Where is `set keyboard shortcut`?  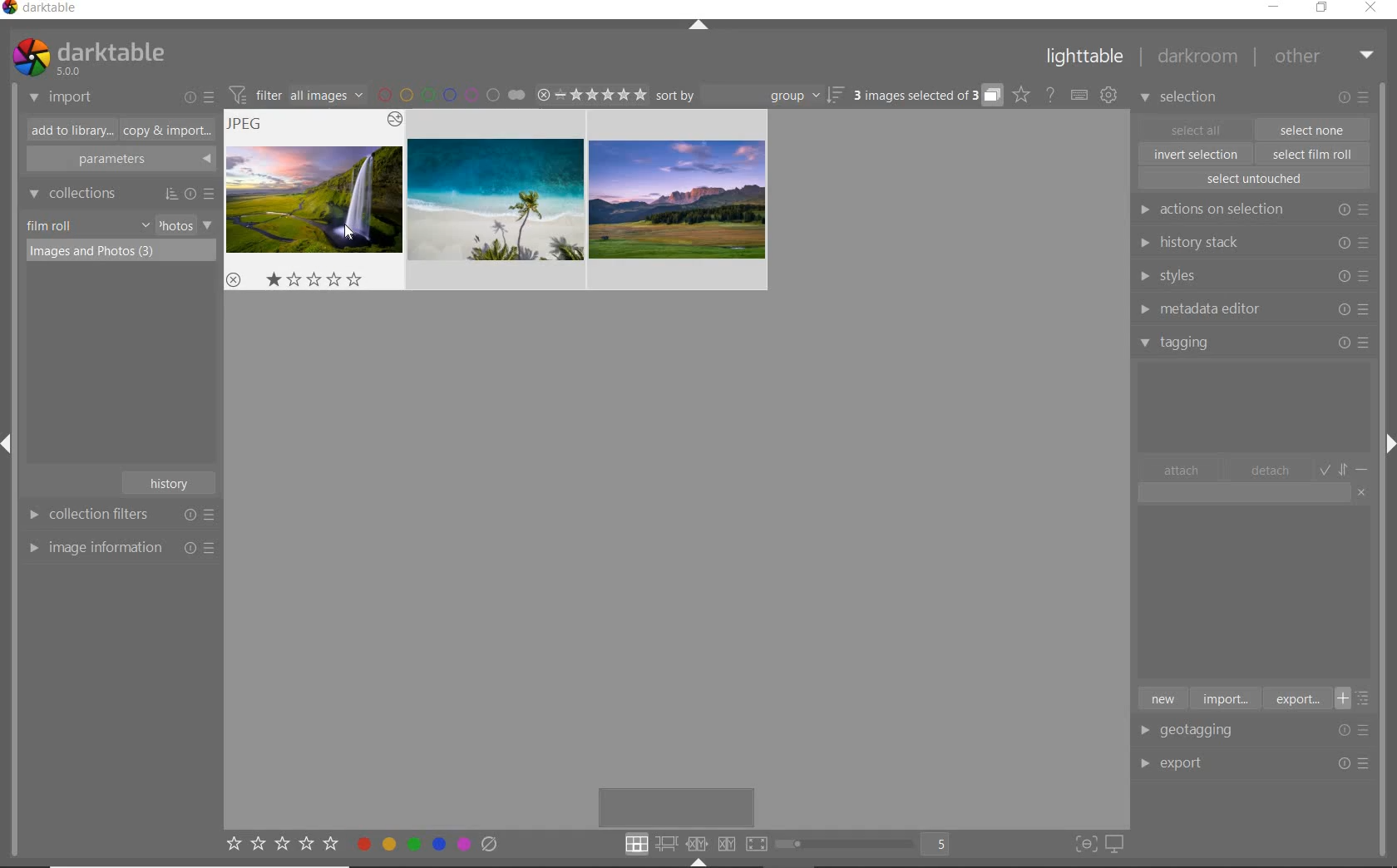 set keyboard shortcut is located at coordinates (1079, 96).